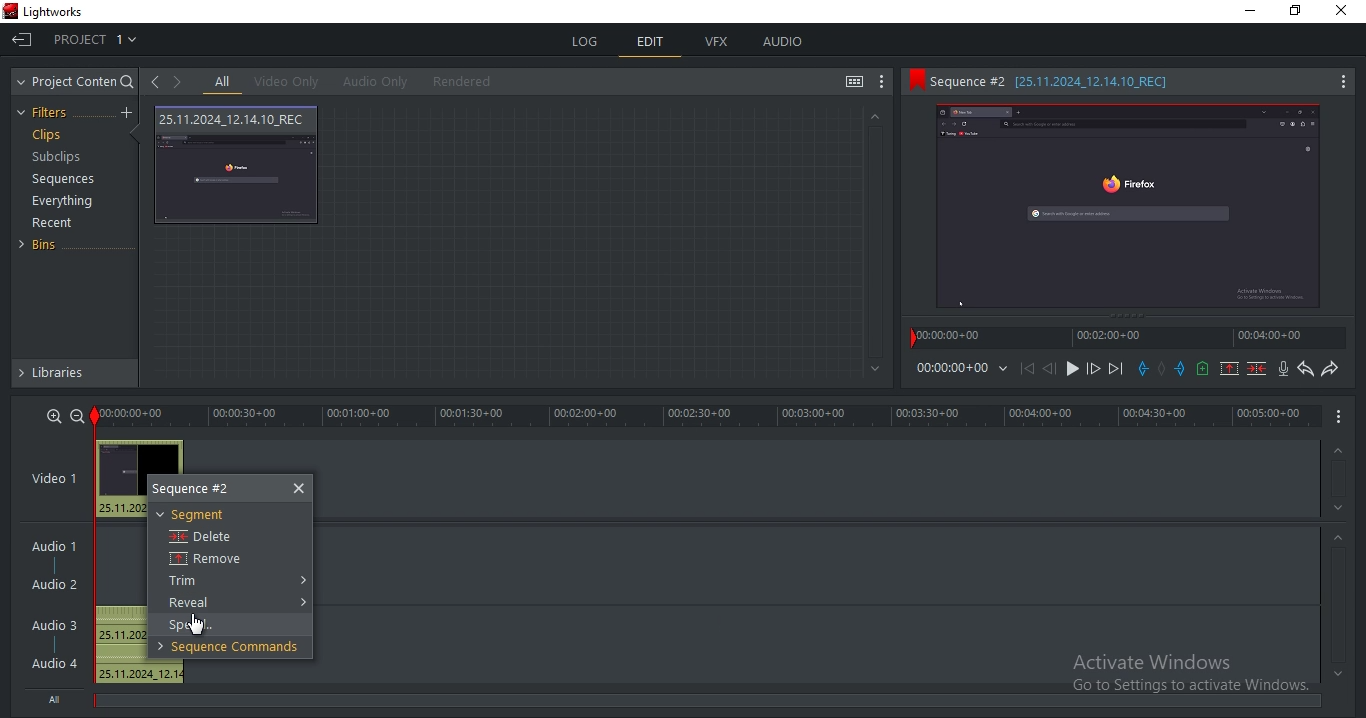 This screenshot has height=718, width=1366. Describe the element at coordinates (196, 624) in the screenshot. I see `speed` at that location.